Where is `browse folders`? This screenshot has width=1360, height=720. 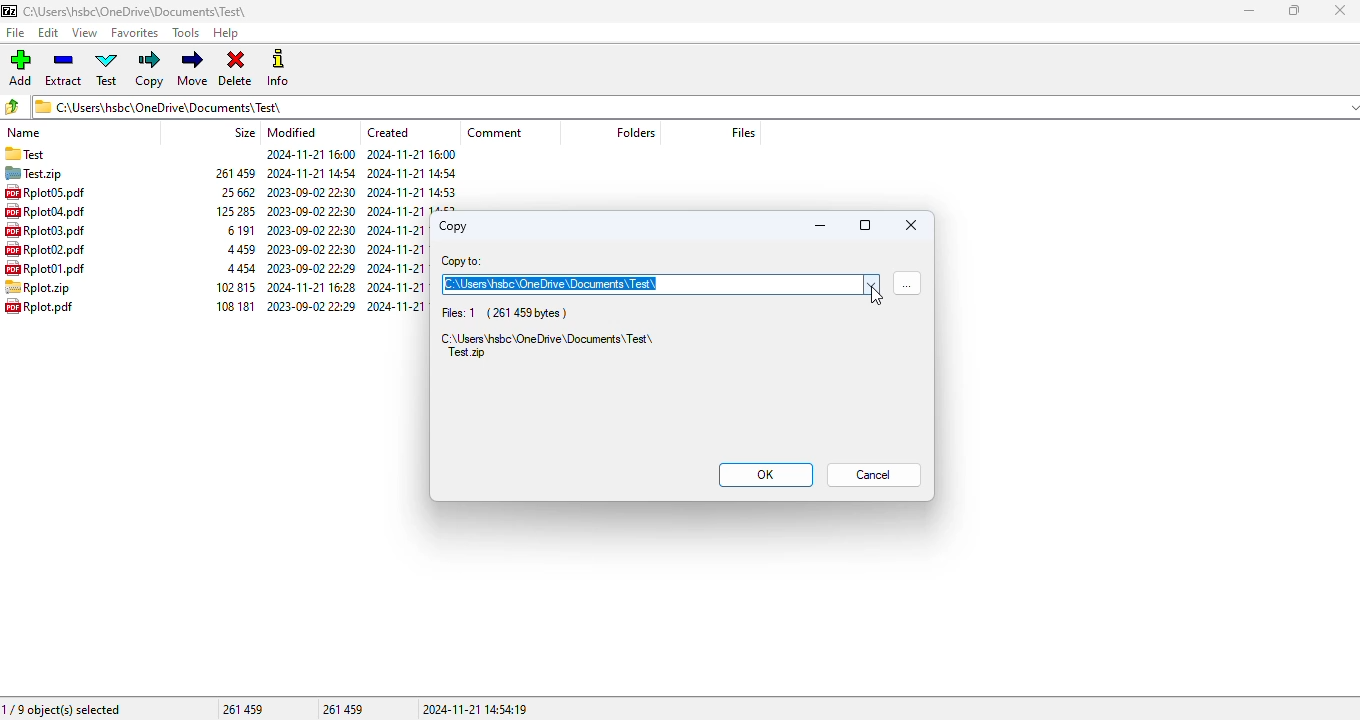
browse folders is located at coordinates (12, 106).